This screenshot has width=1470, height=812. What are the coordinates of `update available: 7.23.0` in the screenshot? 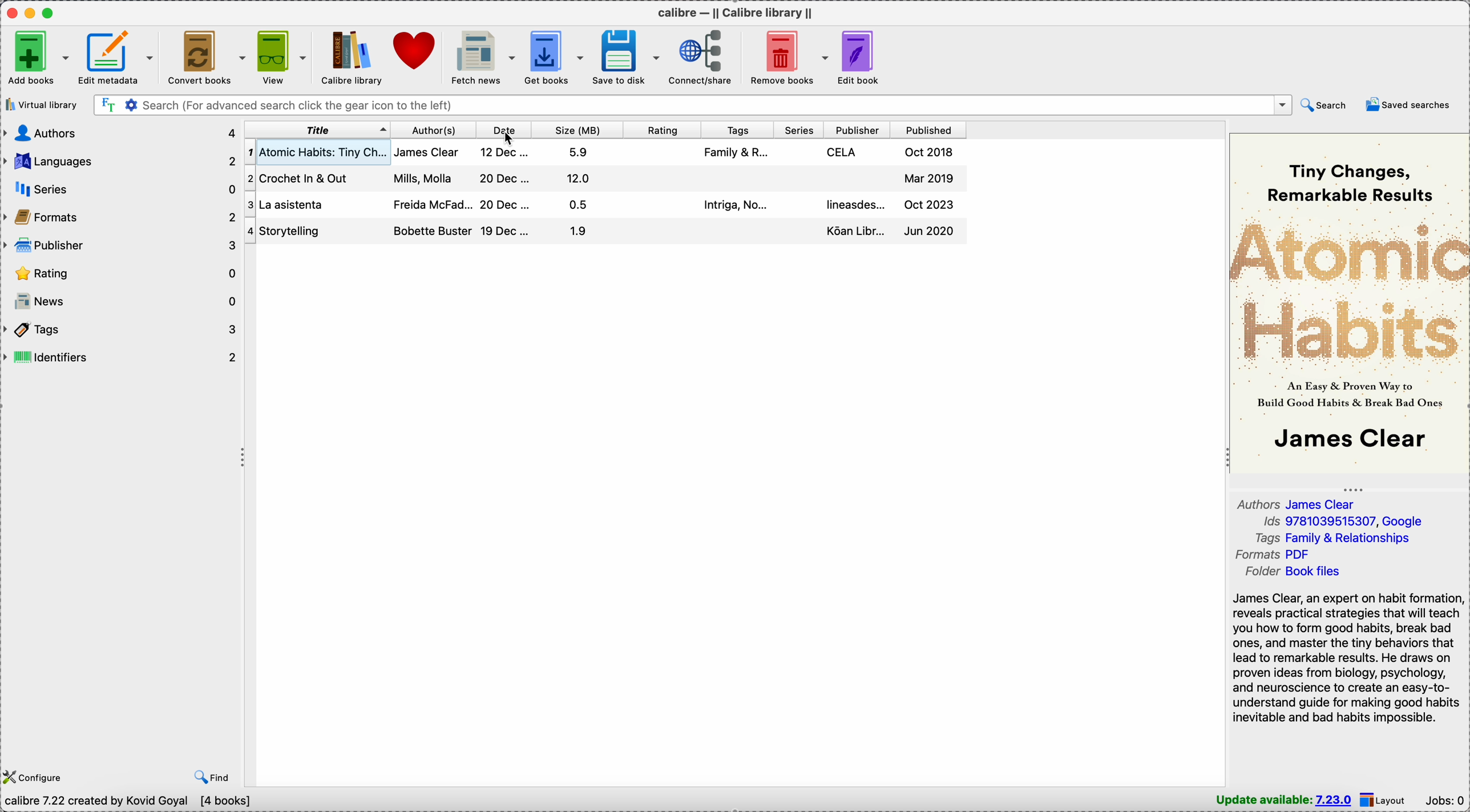 It's located at (1283, 800).